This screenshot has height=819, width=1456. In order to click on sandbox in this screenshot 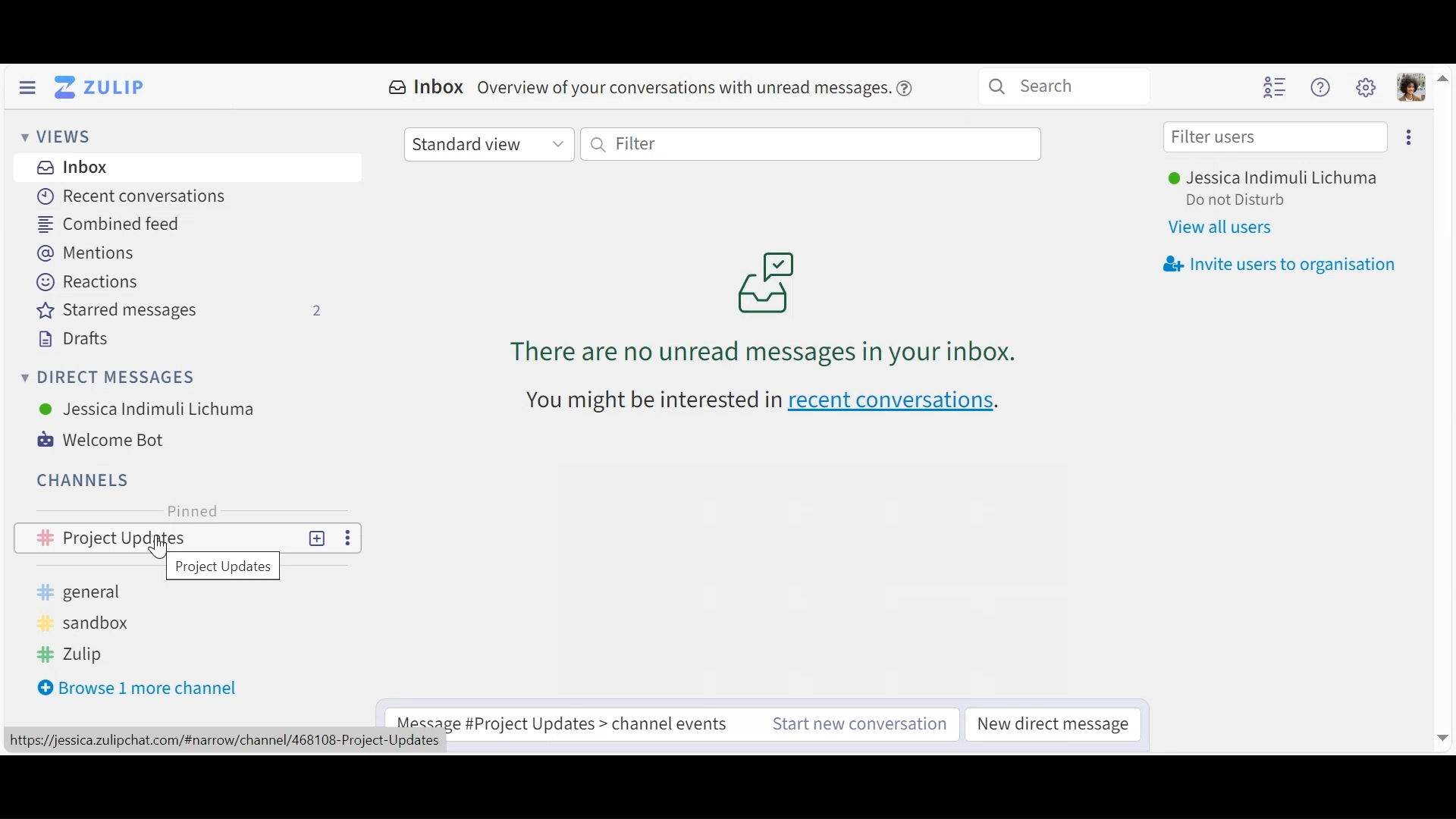, I will do `click(80, 622)`.